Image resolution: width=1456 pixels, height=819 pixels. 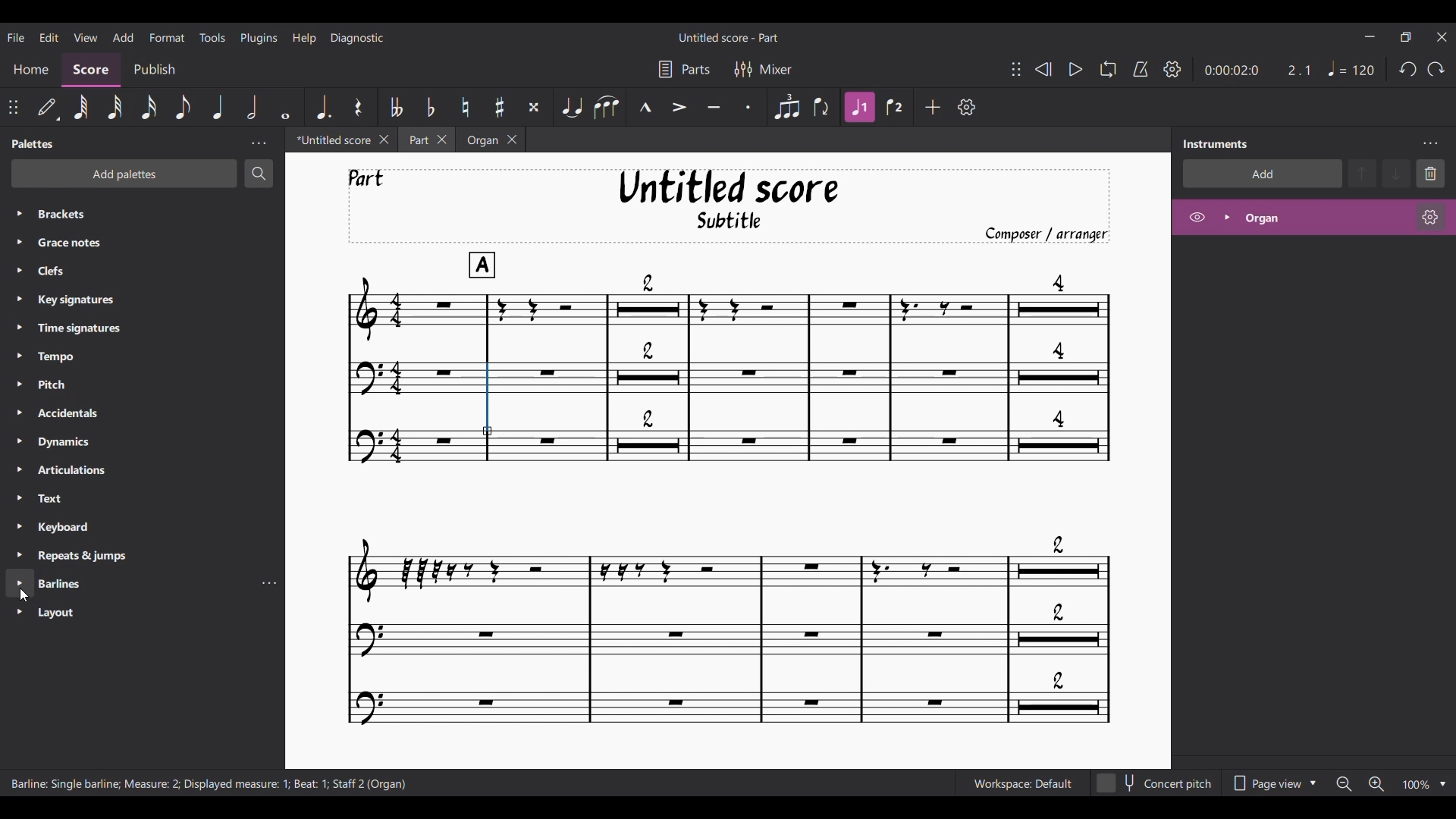 What do you see at coordinates (1376, 784) in the screenshot?
I see `Zoom in` at bounding box center [1376, 784].